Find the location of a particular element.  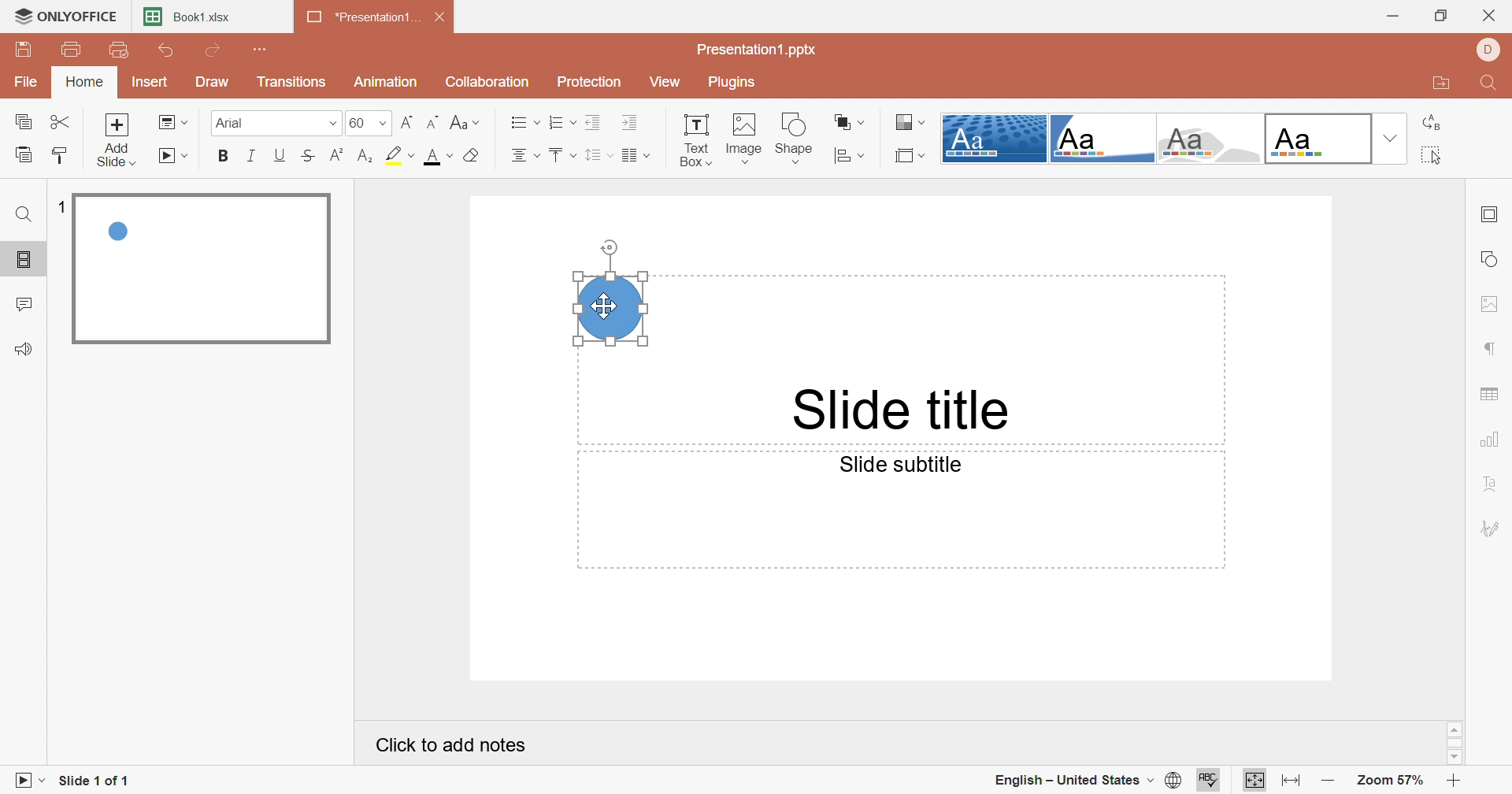

Align shape is located at coordinates (851, 156).